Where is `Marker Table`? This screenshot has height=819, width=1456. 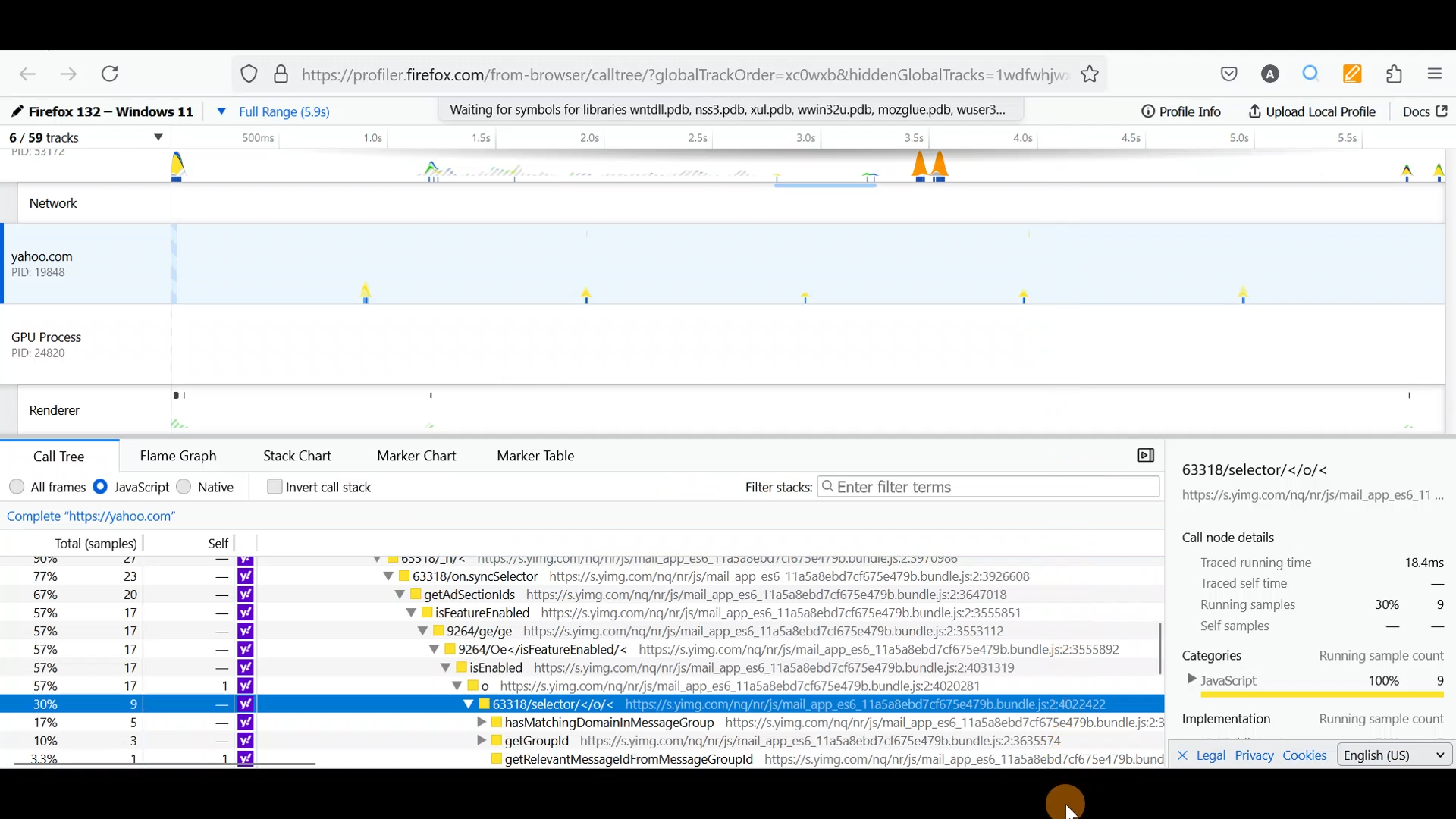
Marker Table is located at coordinates (544, 455).